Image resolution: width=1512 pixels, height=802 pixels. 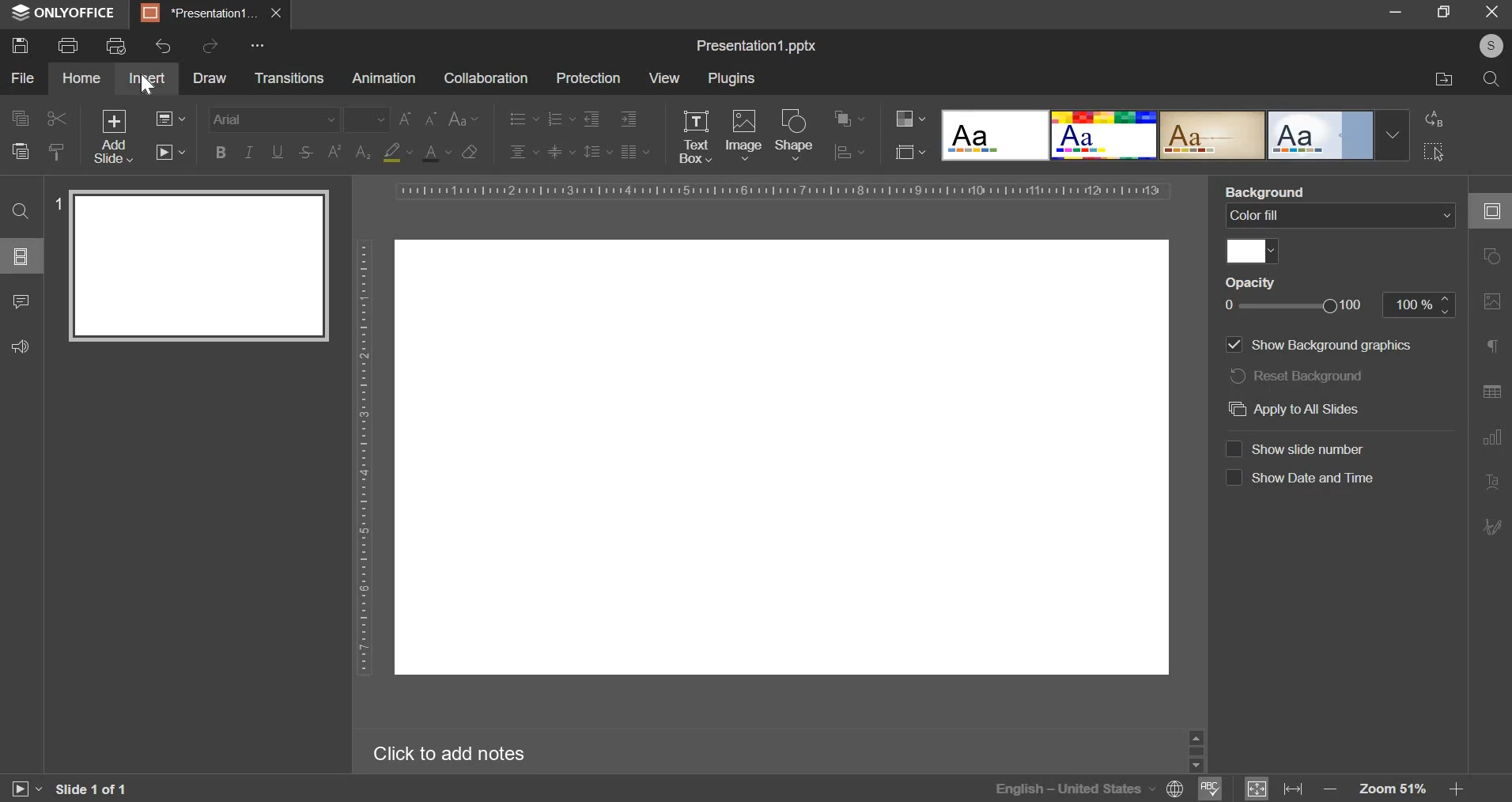 What do you see at coordinates (1493, 347) in the screenshot?
I see `paragraph settings` at bounding box center [1493, 347].